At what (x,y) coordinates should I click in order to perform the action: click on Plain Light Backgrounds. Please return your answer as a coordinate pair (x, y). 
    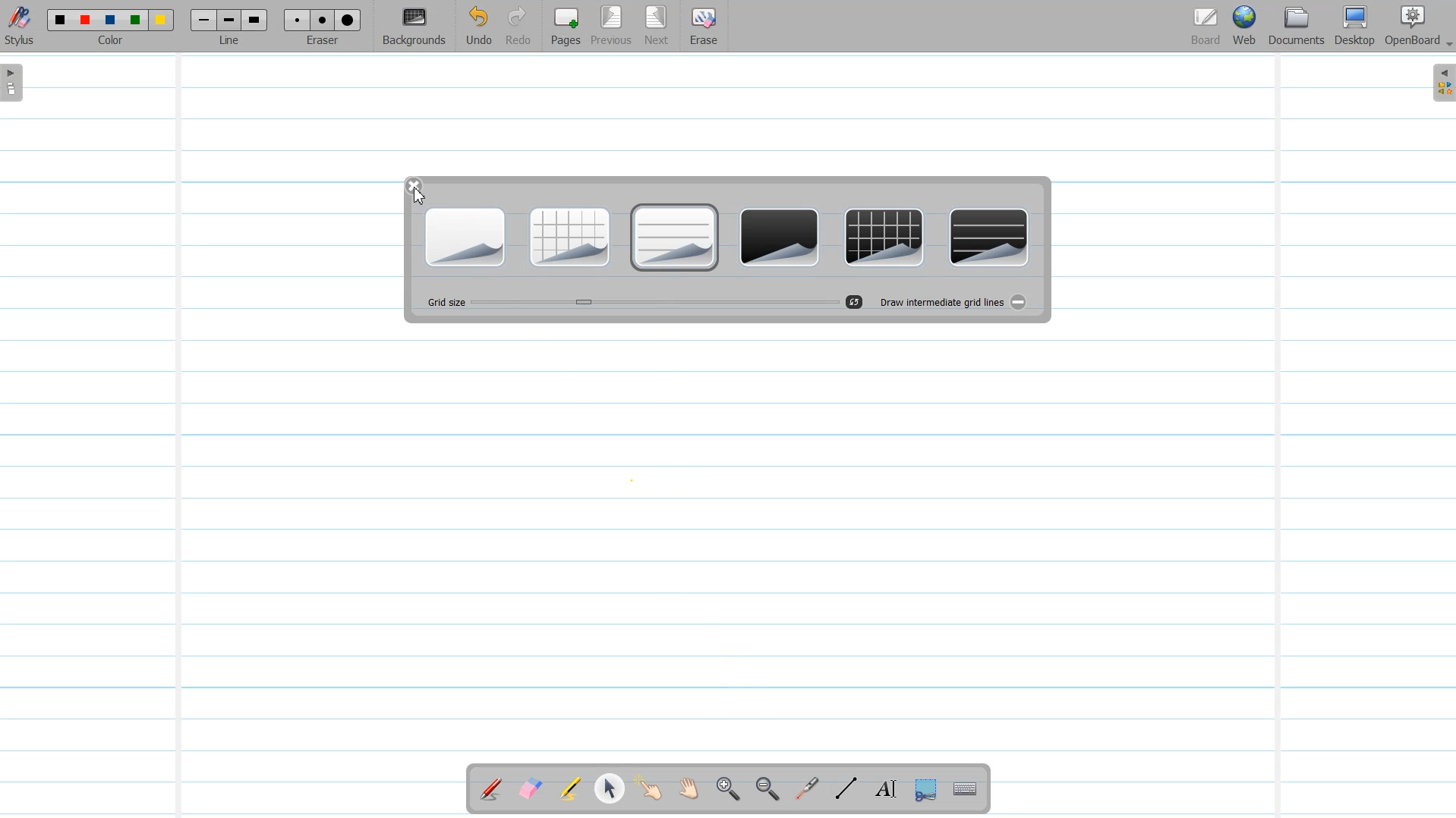
    Looking at the image, I should click on (465, 238).